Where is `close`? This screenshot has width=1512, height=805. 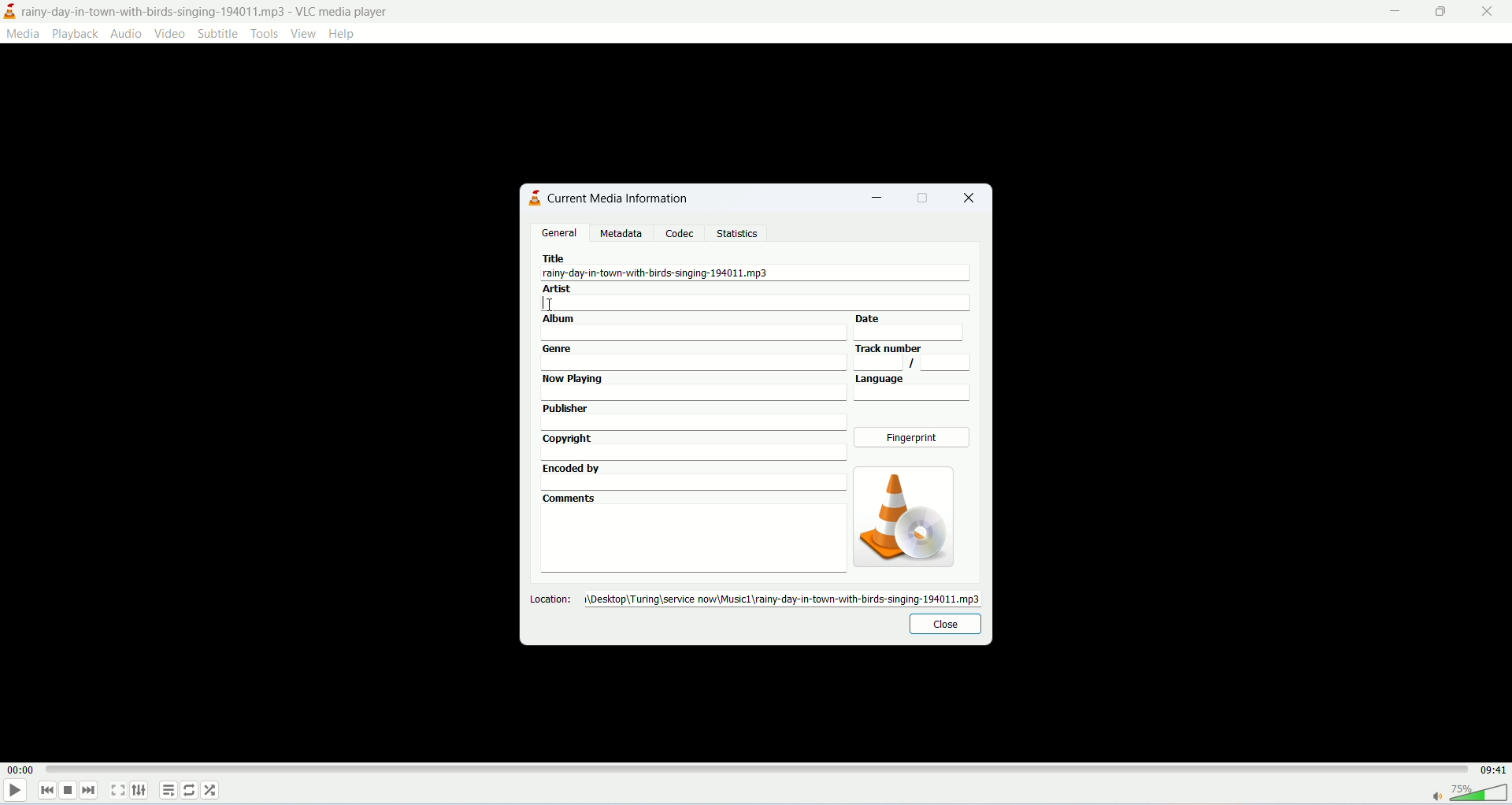 close is located at coordinates (974, 198).